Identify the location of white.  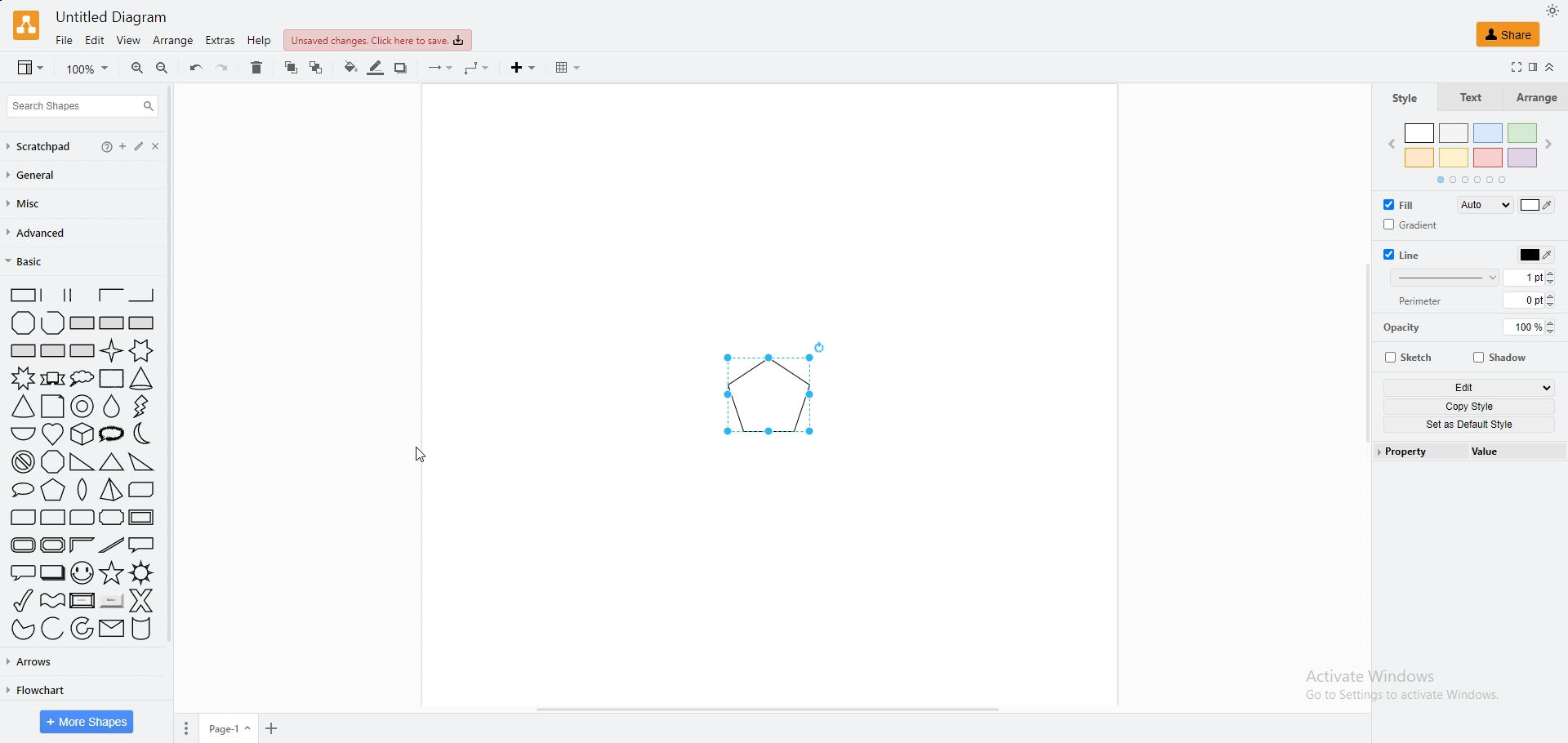
(1421, 132).